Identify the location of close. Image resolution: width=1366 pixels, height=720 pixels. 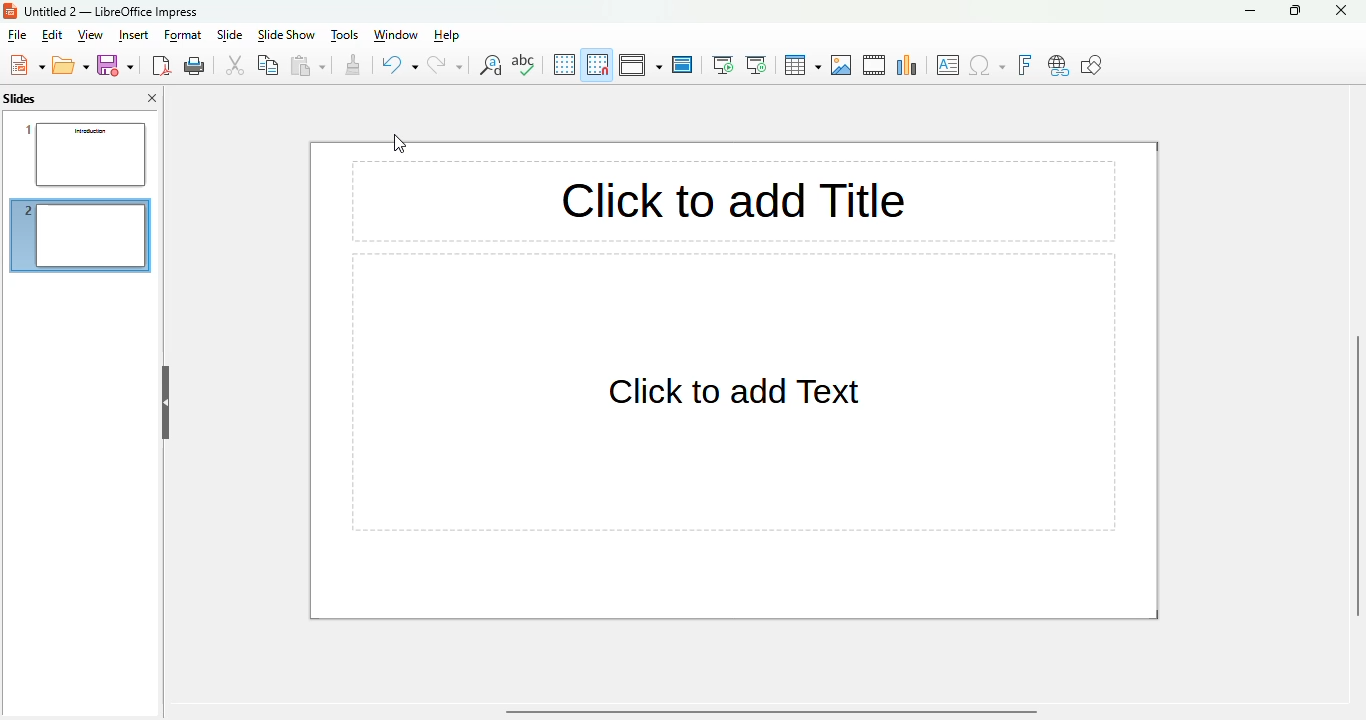
(1340, 10).